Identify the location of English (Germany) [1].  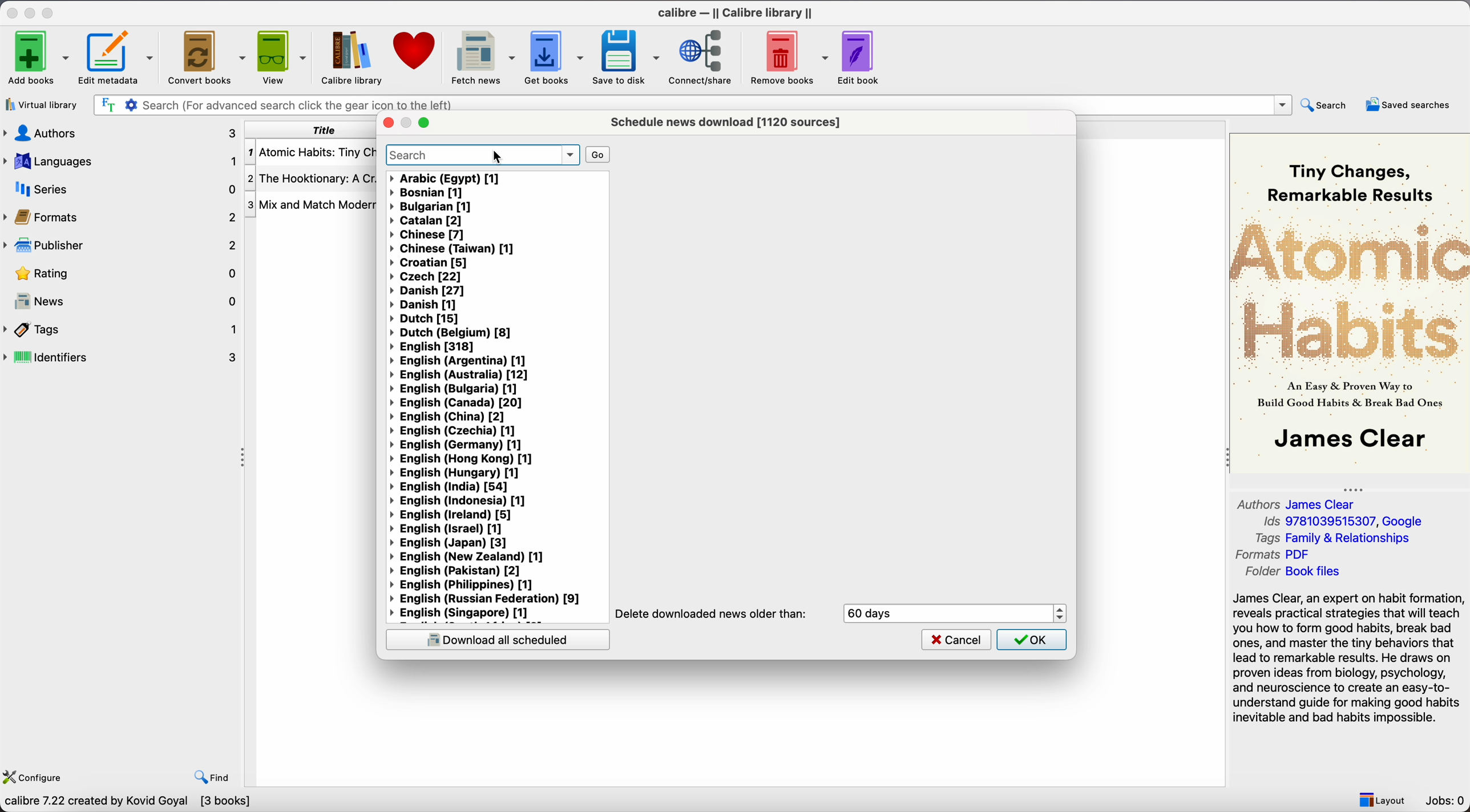
(458, 446).